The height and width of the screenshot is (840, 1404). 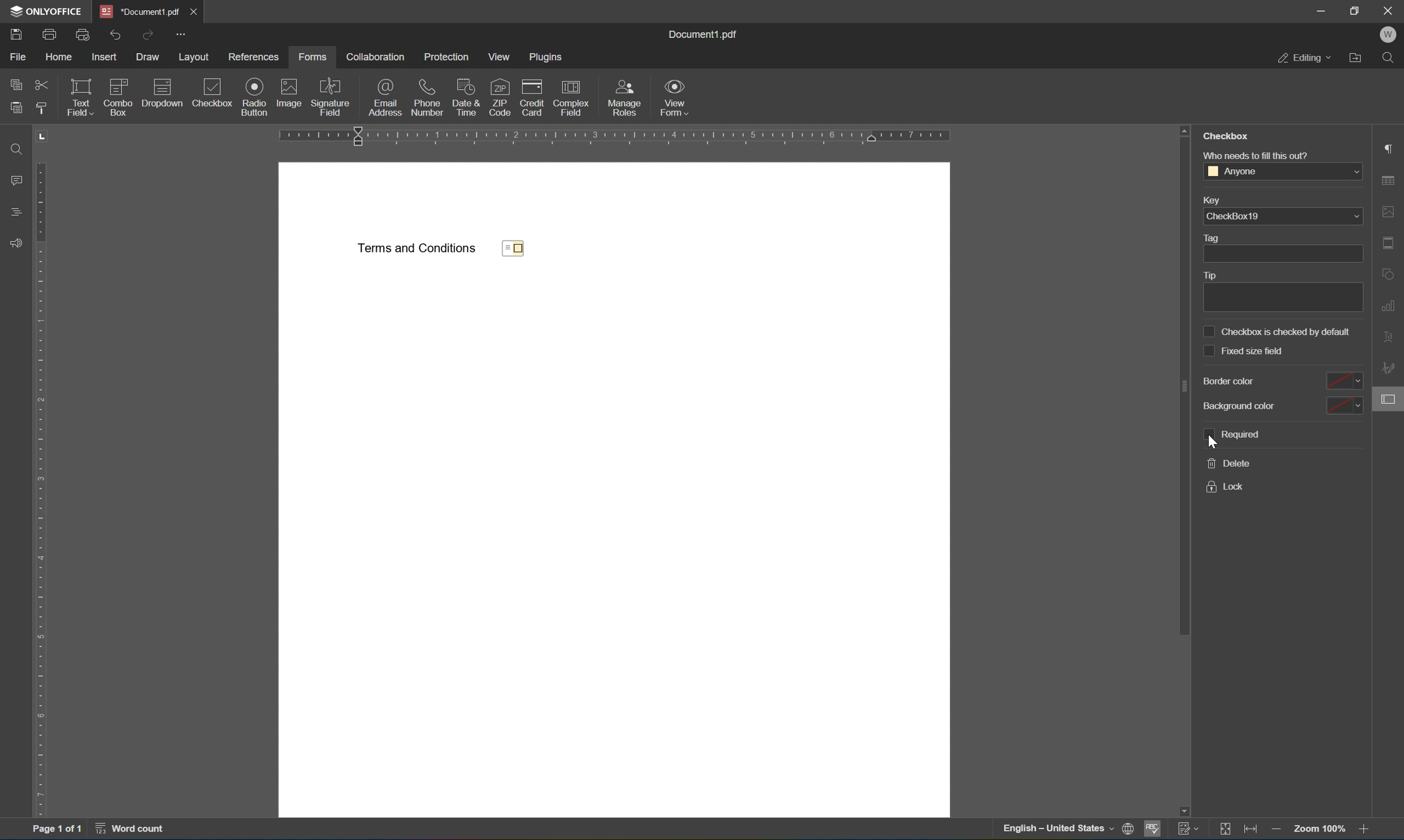 I want to click on border color, so click(x=1279, y=382).